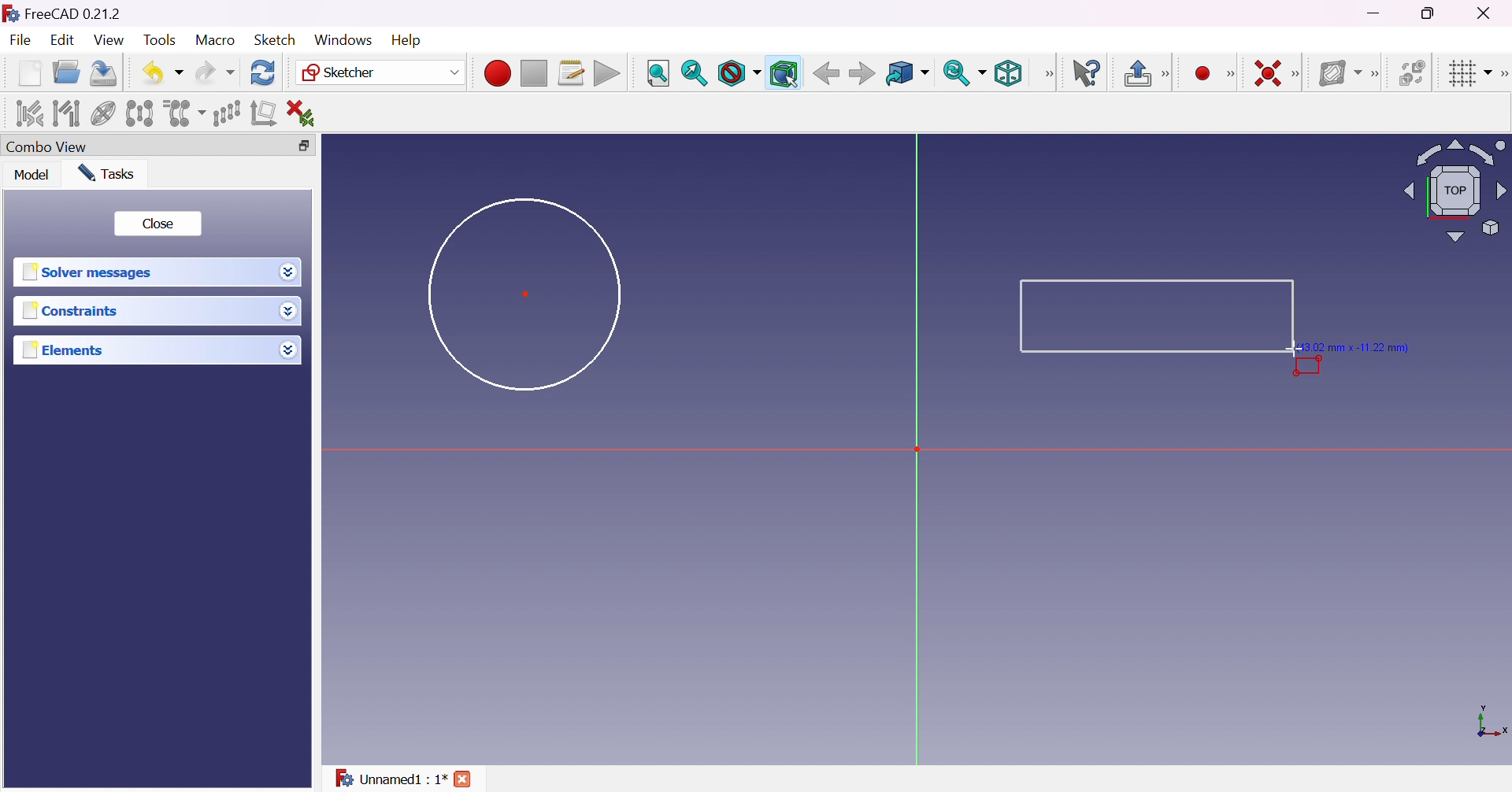 Image resolution: width=1512 pixels, height=792 pixels. I want to click on Redo, so click(215, 72).